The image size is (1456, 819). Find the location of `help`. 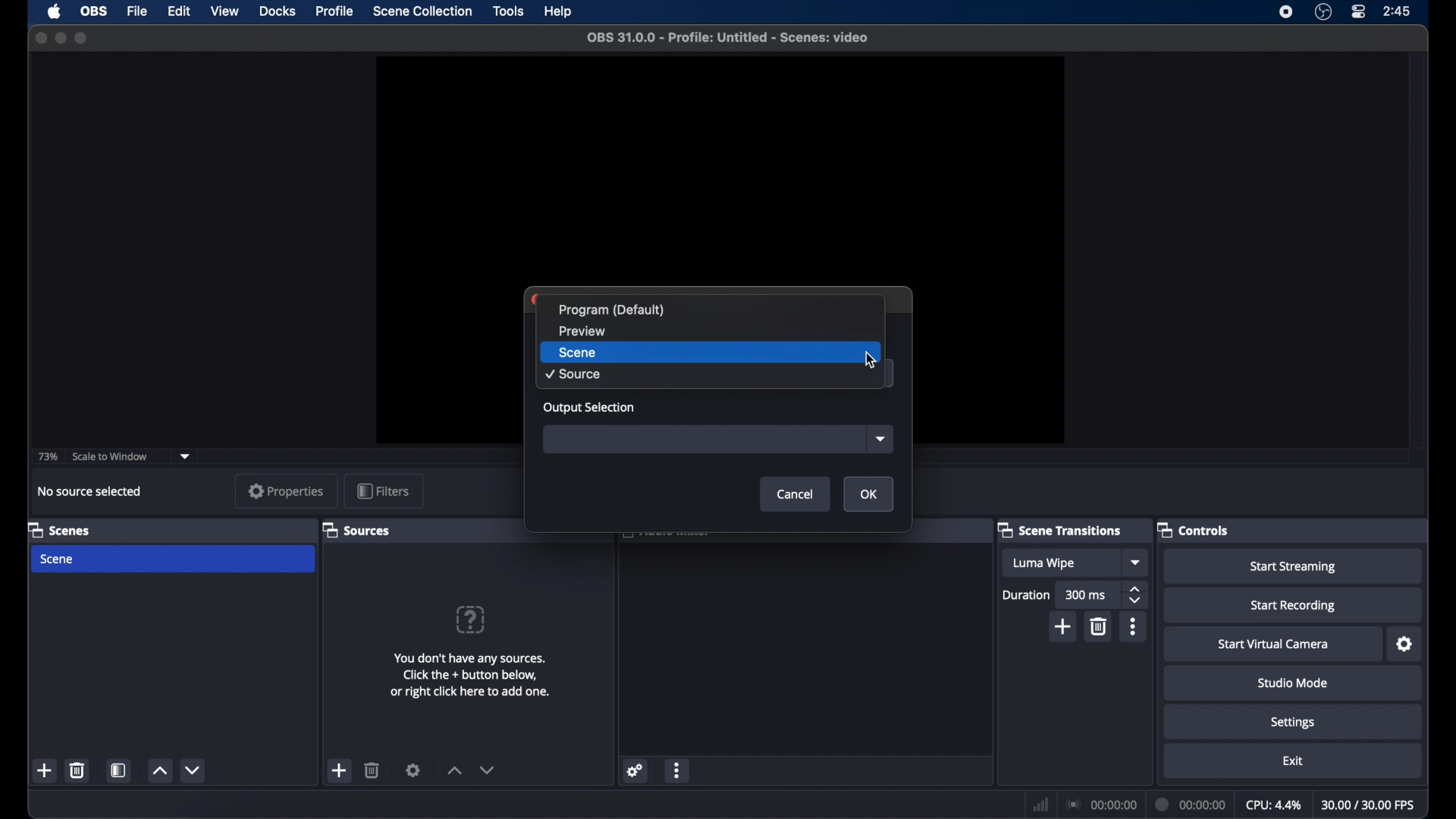

help is located at coordinates (472, 620).